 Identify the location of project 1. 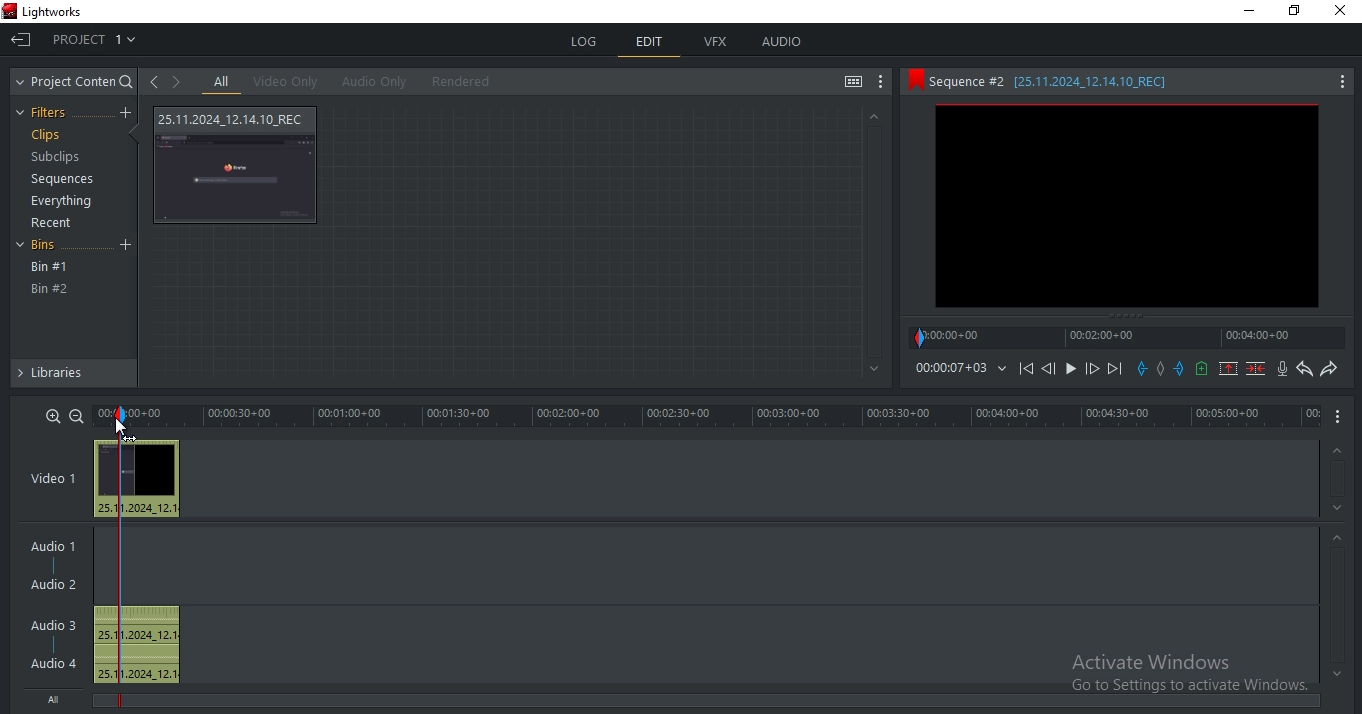
(96, 37).